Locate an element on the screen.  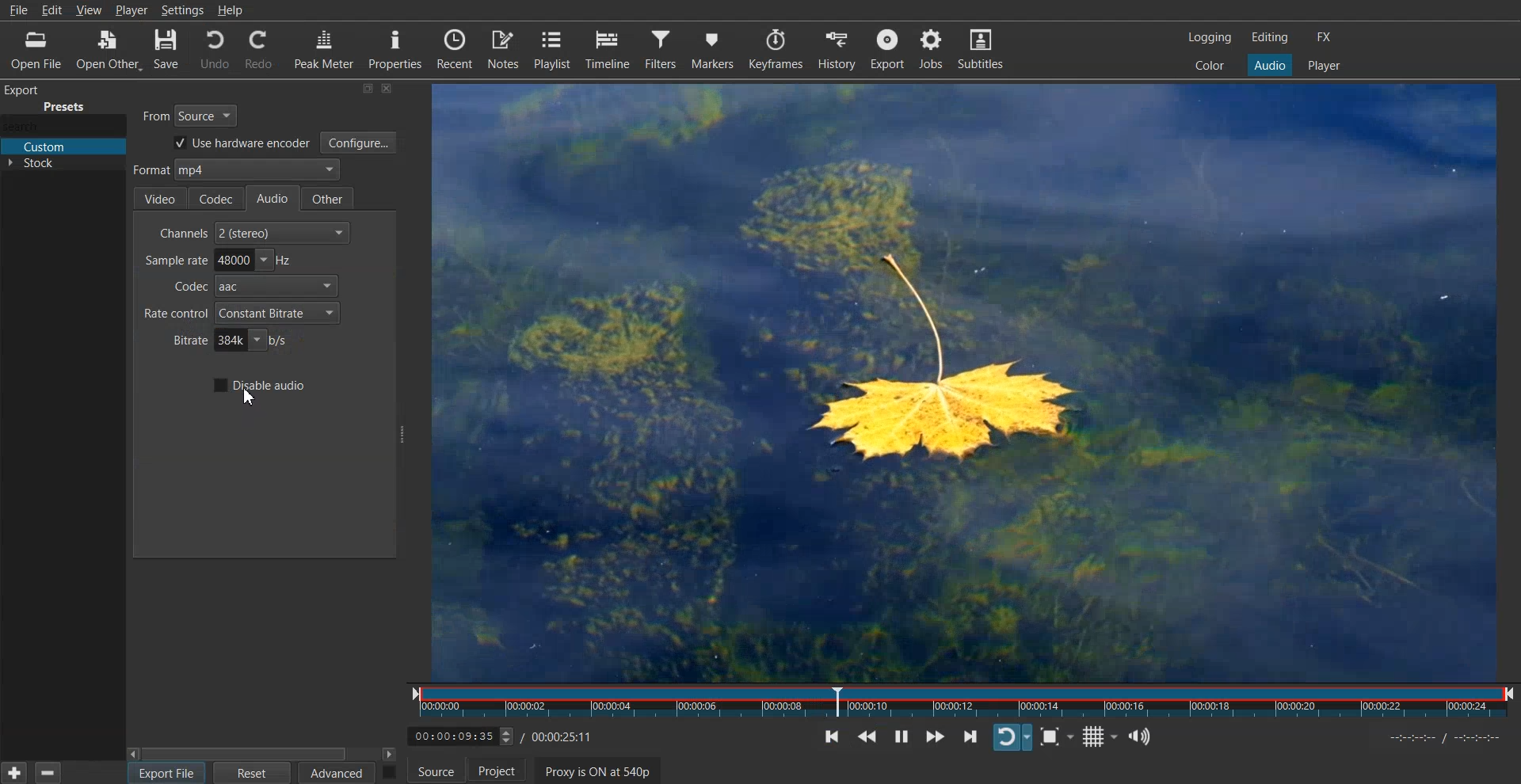
Bitrate is located at coordinates (230, 341).